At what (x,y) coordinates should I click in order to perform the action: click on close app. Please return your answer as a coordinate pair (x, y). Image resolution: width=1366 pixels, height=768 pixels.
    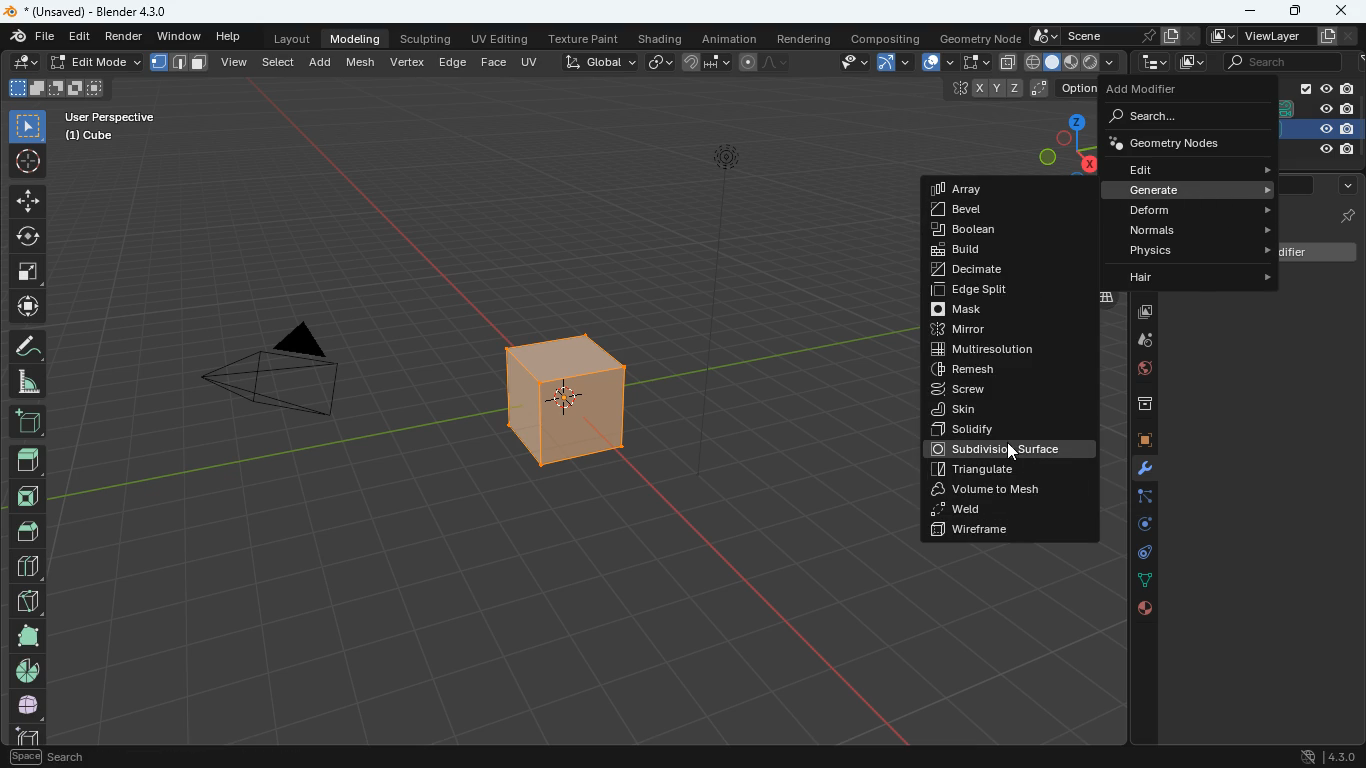
    Looking at the image, I should click on (1341, 9).